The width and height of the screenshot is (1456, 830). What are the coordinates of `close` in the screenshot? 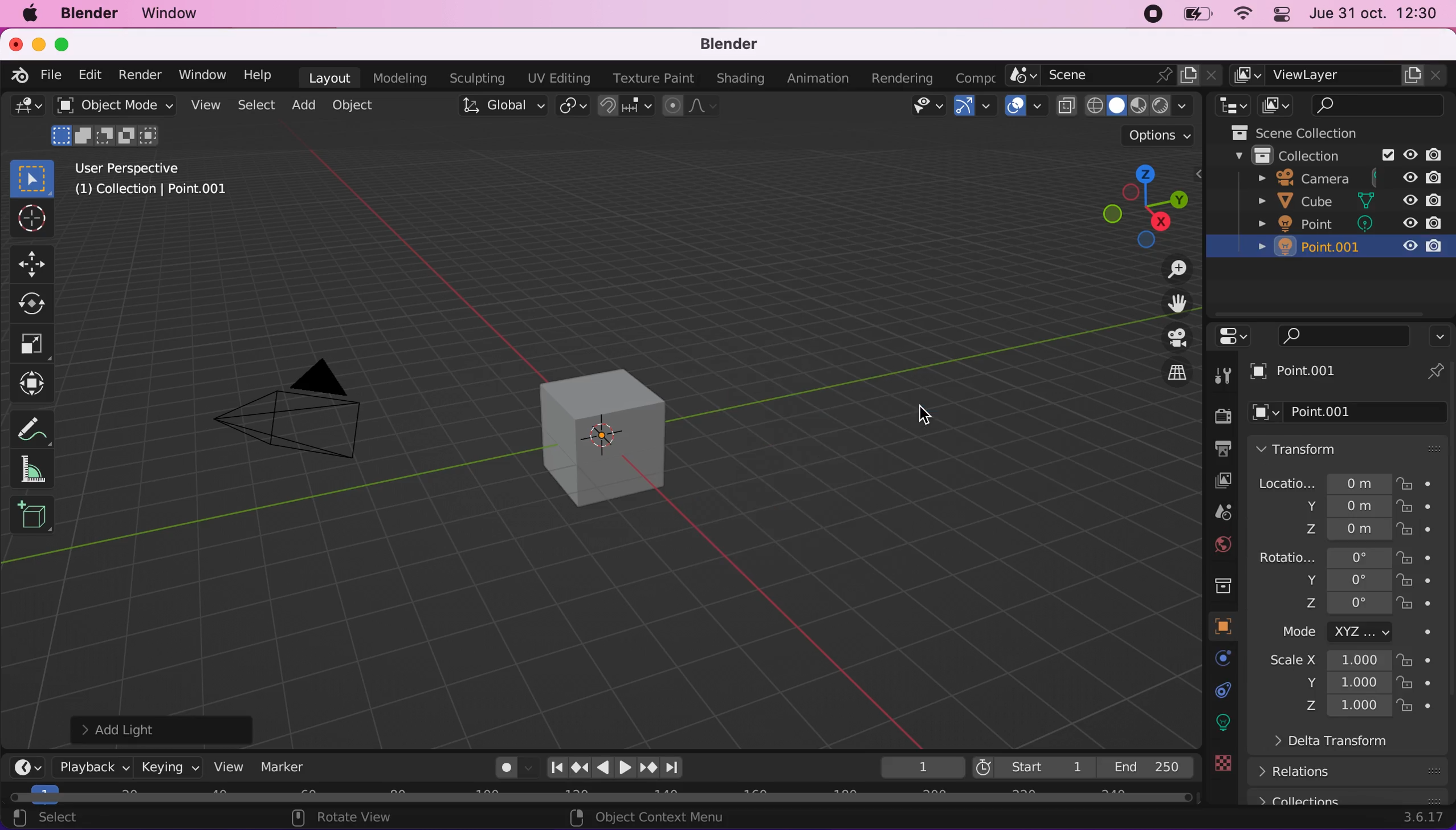 It's located at (14, 43).